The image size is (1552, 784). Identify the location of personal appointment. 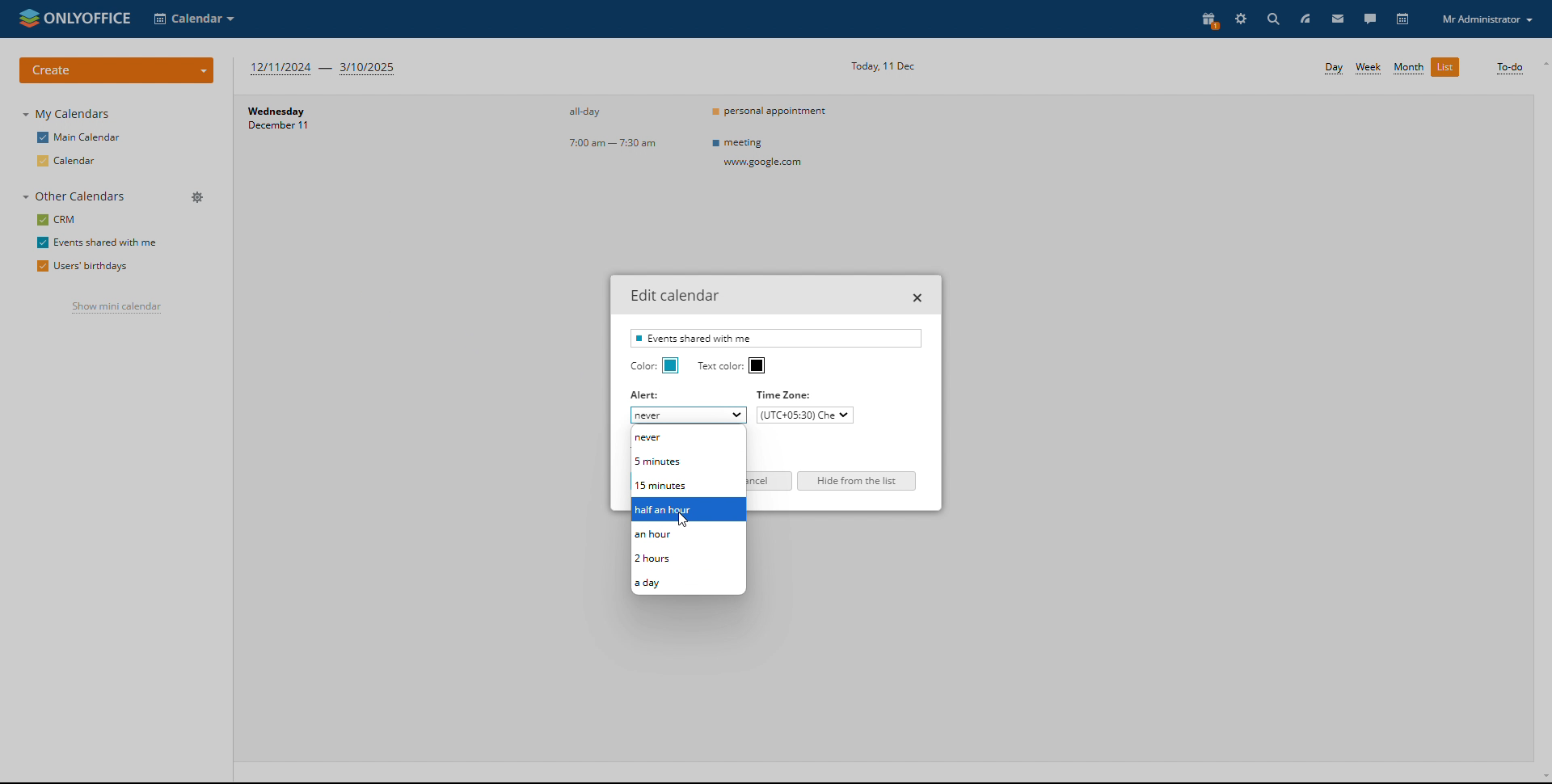
(773, 110).